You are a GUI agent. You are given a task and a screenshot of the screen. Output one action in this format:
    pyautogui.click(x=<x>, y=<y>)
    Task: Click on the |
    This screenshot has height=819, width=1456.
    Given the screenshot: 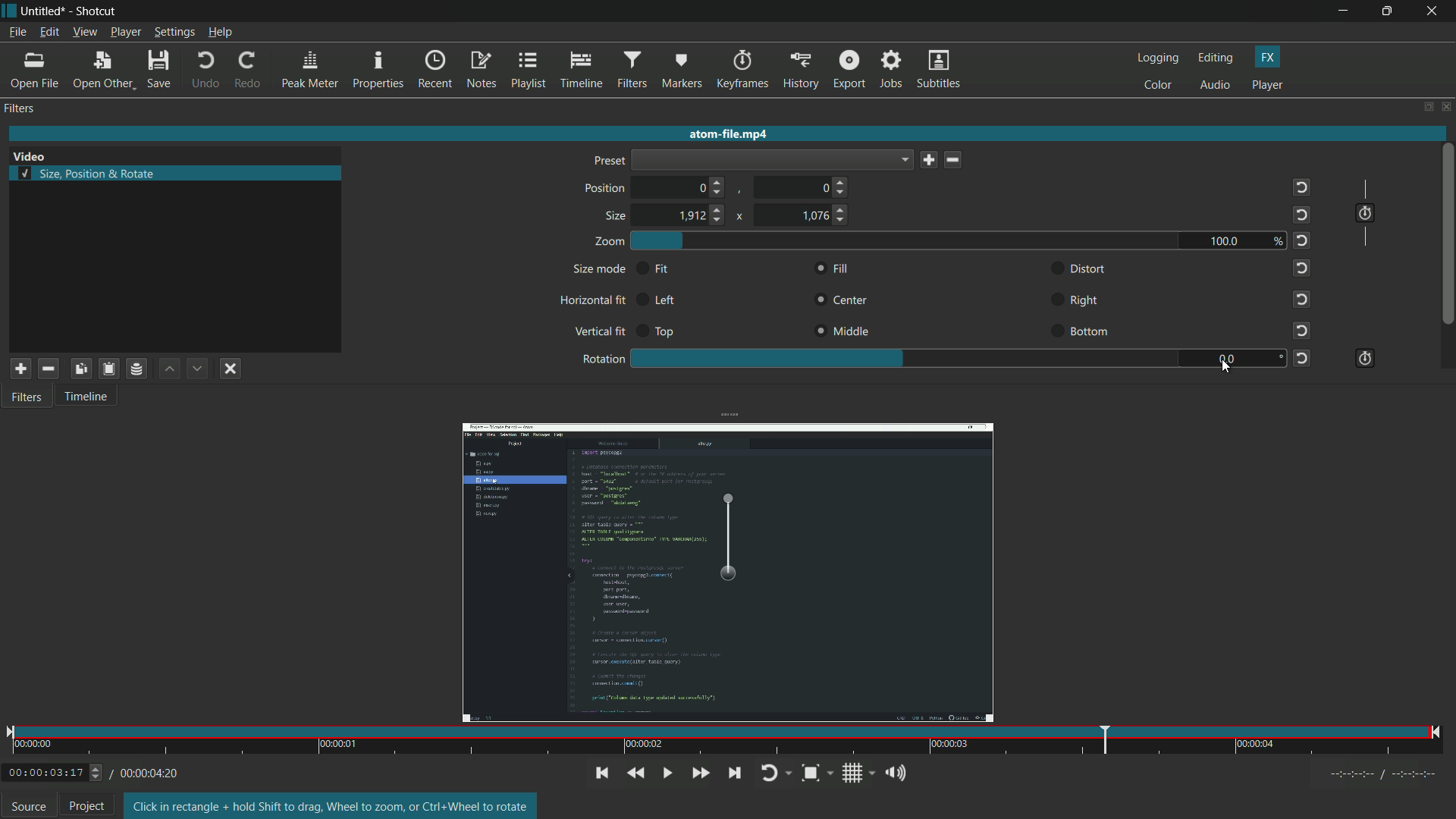 What is the action you would take?
    pyautogui.click(x=1371, y=243)
    